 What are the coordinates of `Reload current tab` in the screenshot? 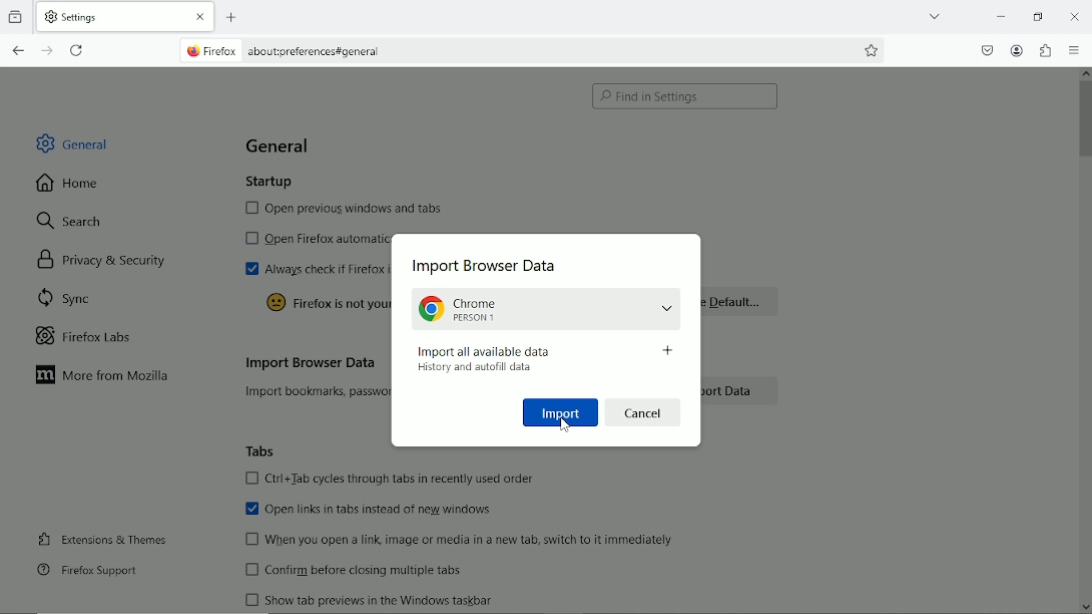 It's located at (81, 51).